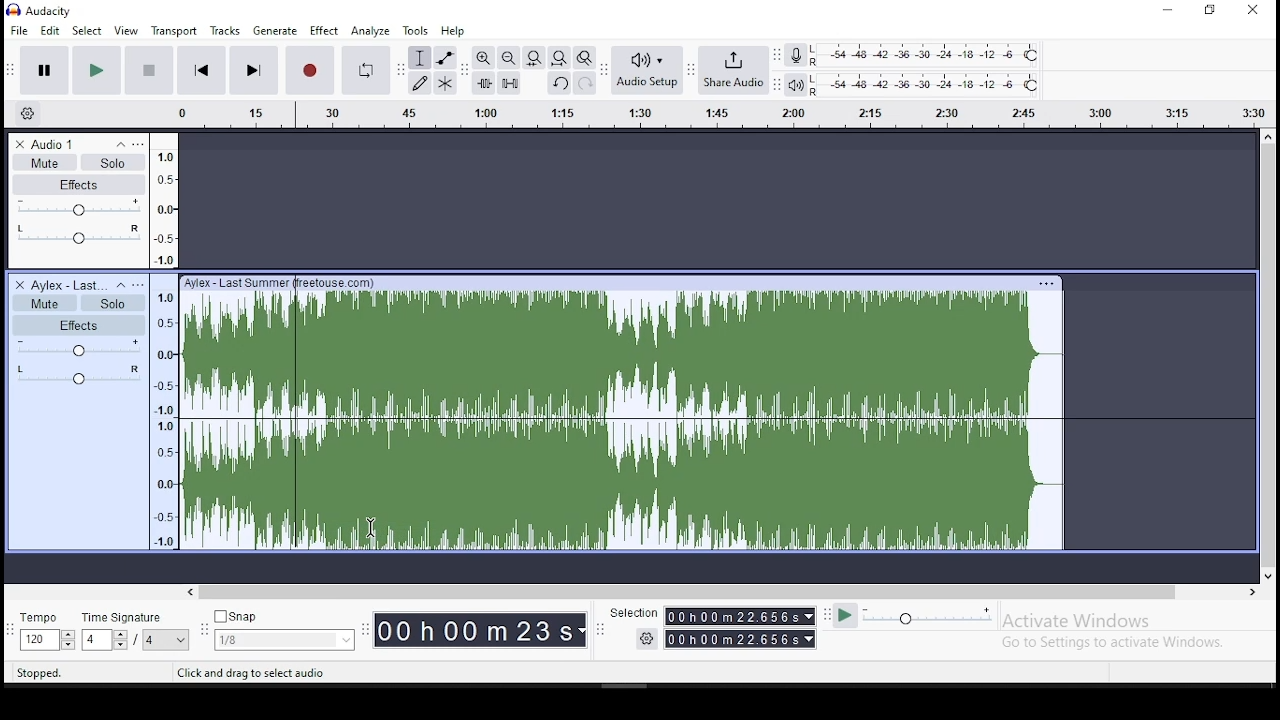  What do you see at coordinates (585, 83) in the screenshot?
I see `redo` at bounding box center [585, 83].